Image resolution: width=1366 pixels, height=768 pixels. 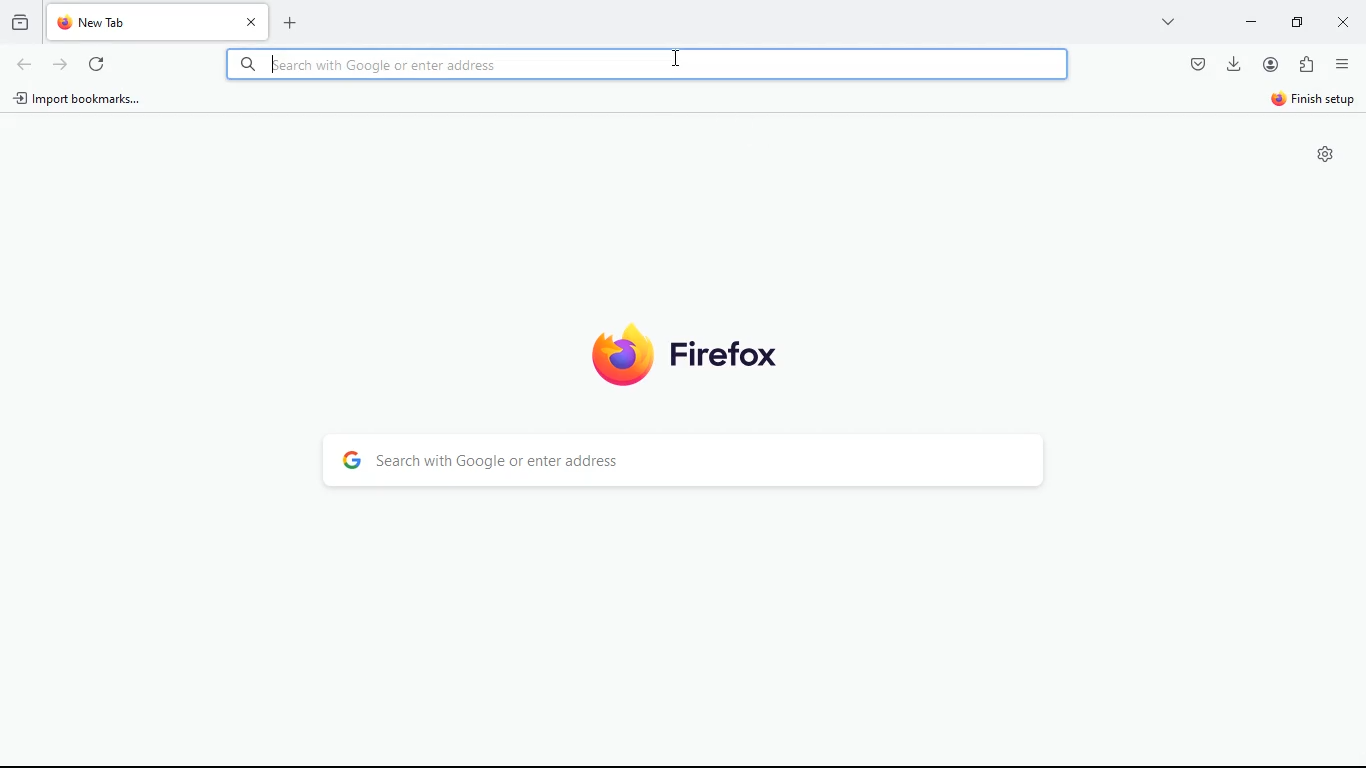 What do you see at coordinates (1196, 64) in the screenshot?
I see `pocket` at bounding box center [1196, 64].